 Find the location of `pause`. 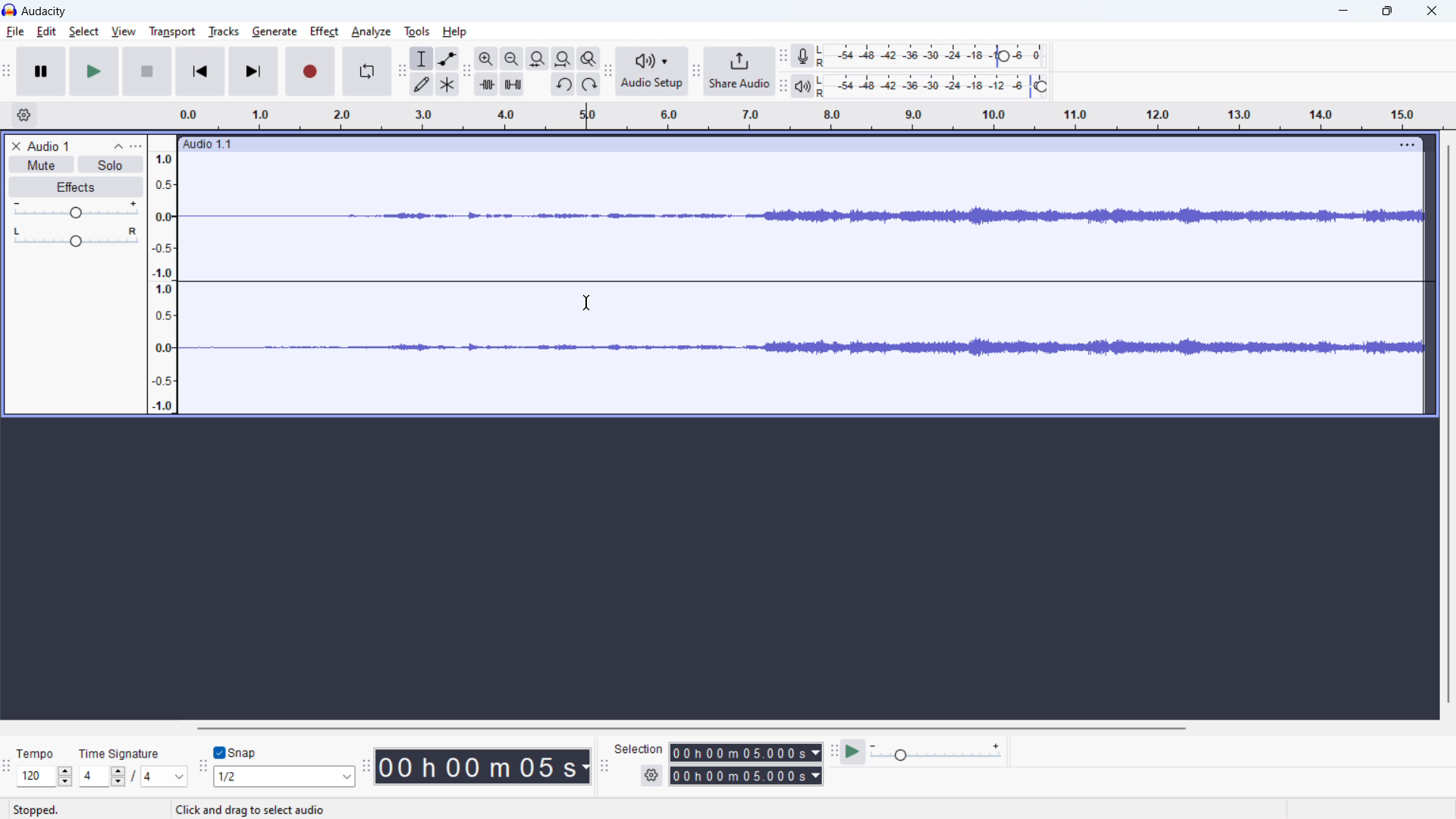

pause is located at coordinates (41, 71).